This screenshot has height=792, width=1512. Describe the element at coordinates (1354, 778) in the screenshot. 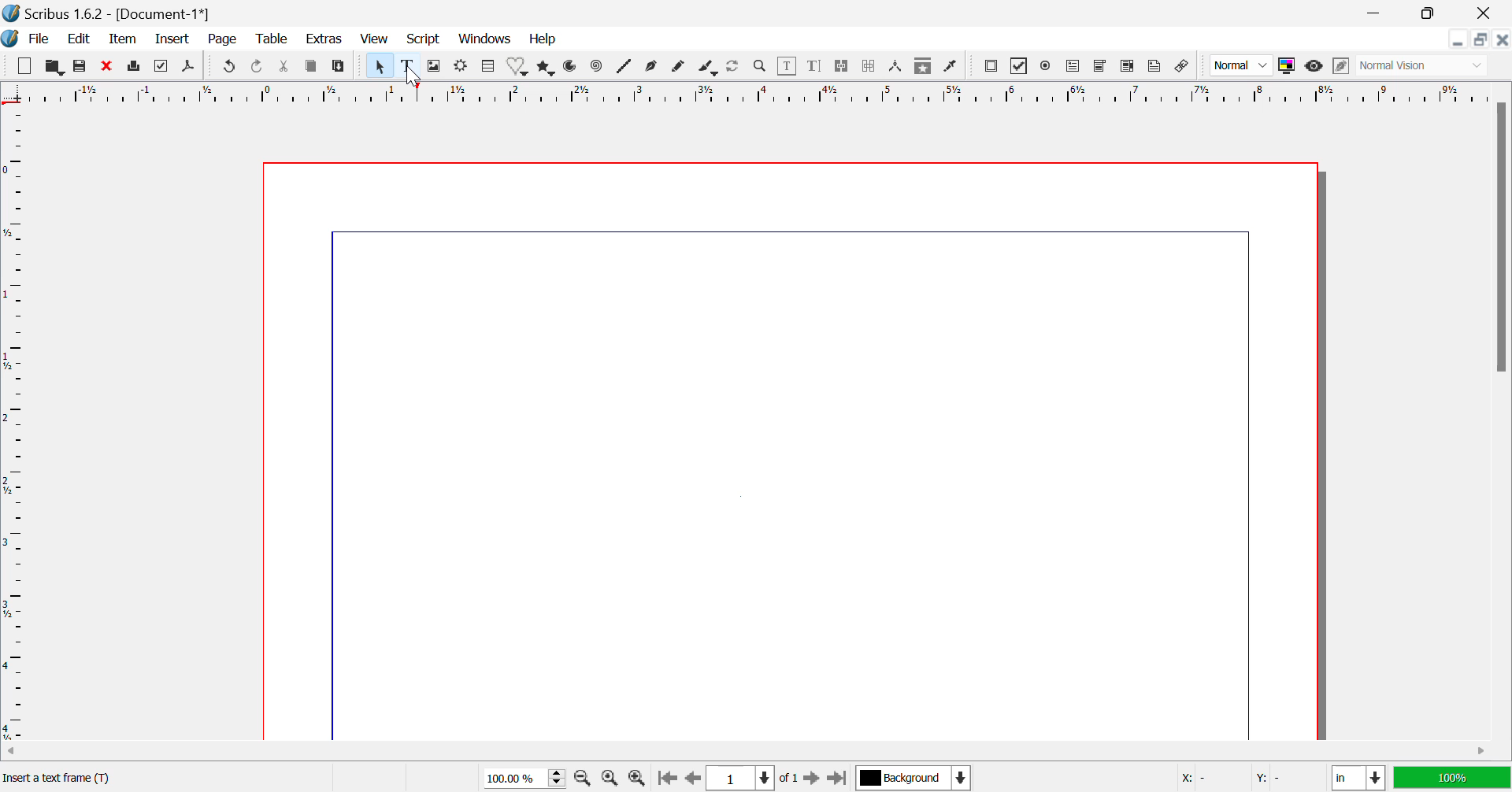

I see `in` at that location.